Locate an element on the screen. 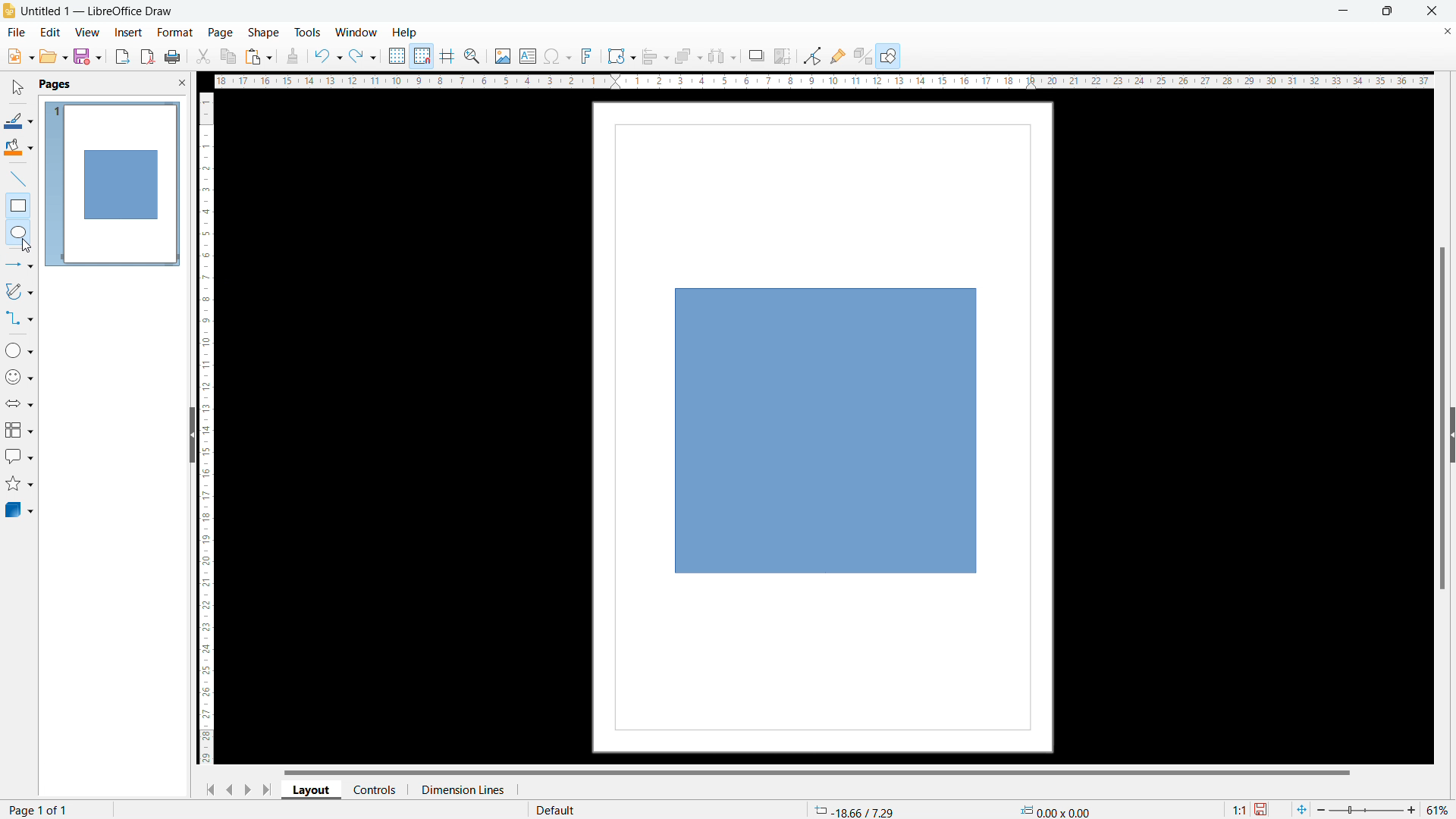 This screenshot has width=1456, height=819. format is located at coordinates (174, 33).